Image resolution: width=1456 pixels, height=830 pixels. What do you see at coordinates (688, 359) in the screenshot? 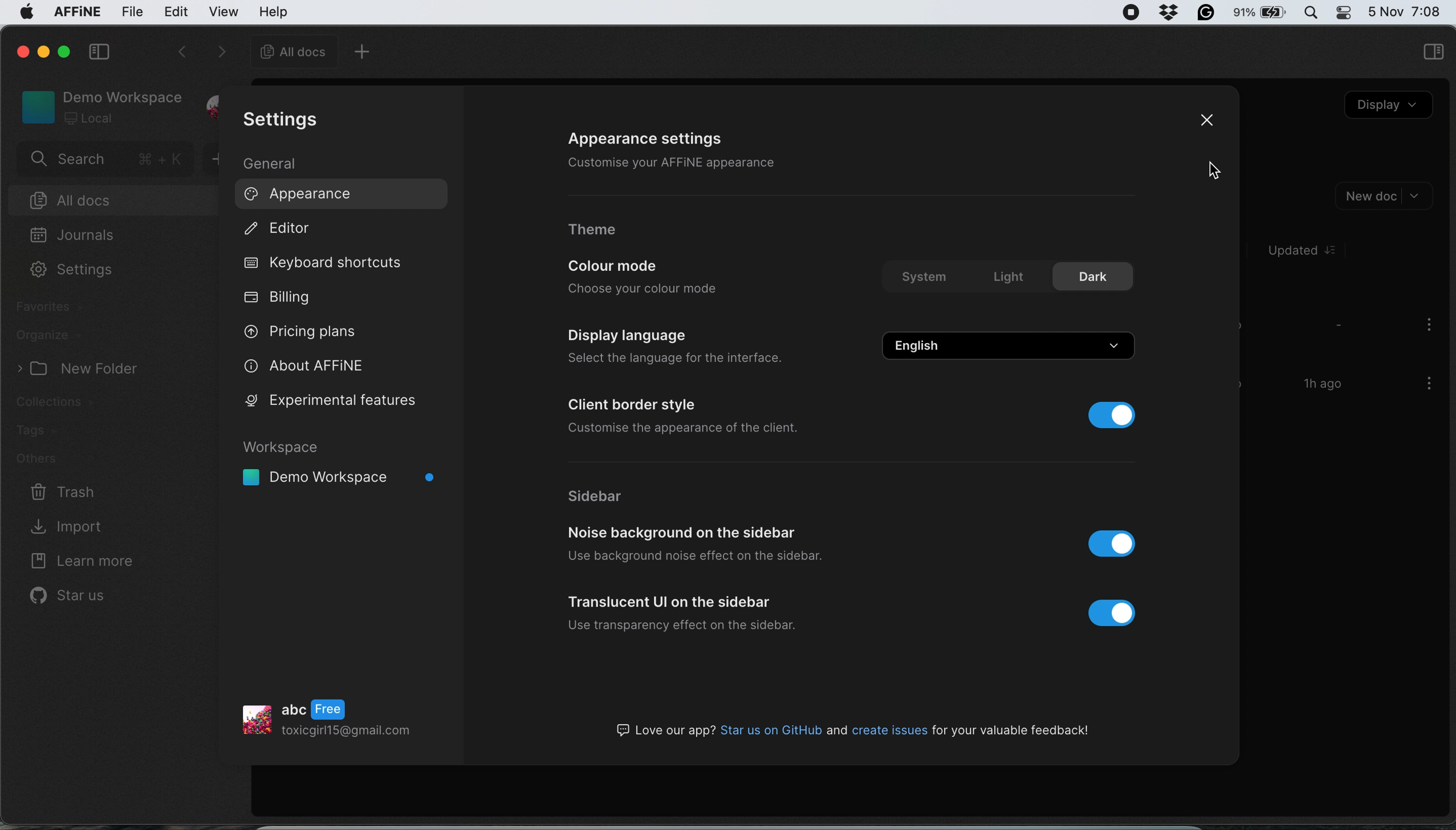
I see `select the language for the interface` at bounding box center [688, 359].